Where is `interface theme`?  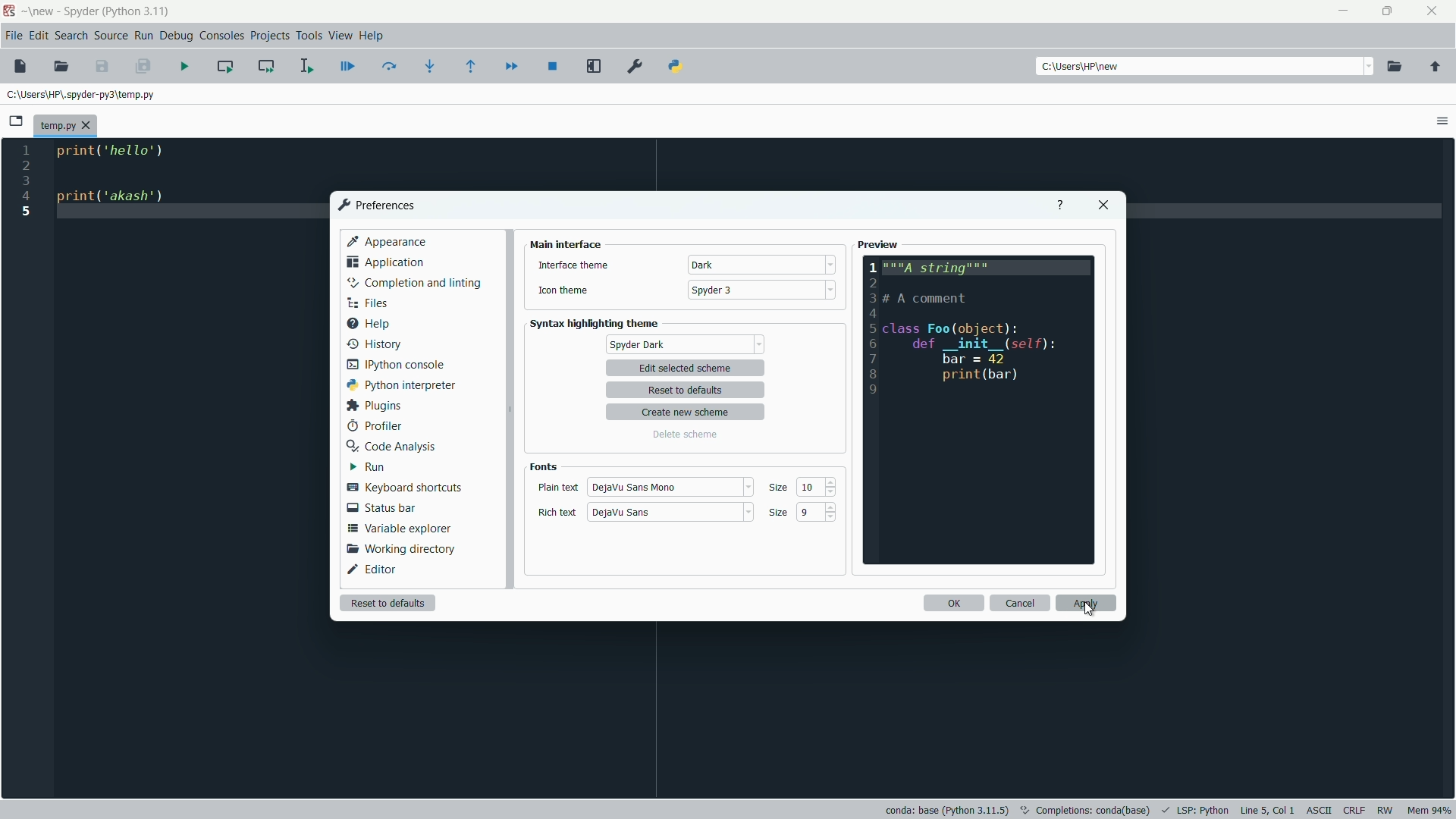
interface theme is located at coordinates (573, 265).